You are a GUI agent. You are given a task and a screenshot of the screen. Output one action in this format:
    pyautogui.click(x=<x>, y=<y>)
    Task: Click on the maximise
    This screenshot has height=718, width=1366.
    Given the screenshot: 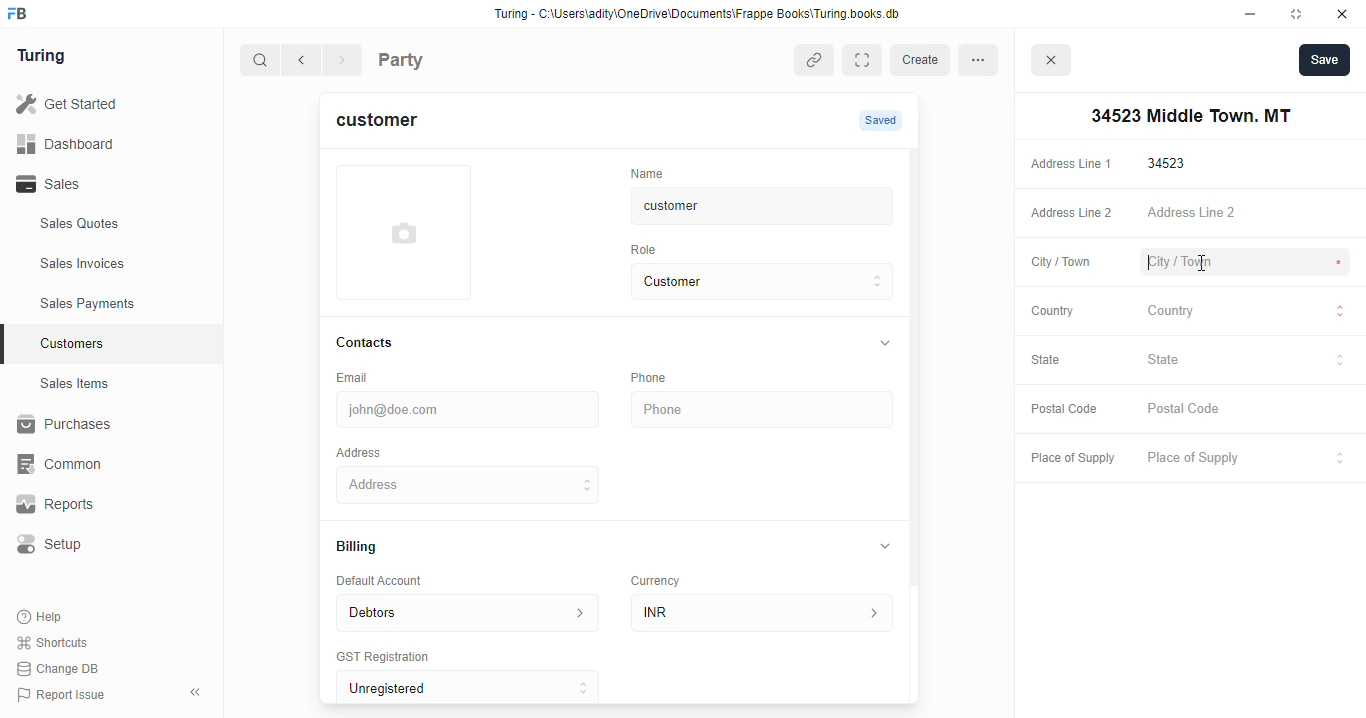 What is the action you would take?
    pyautogui.click(x=1300, y=14)
    